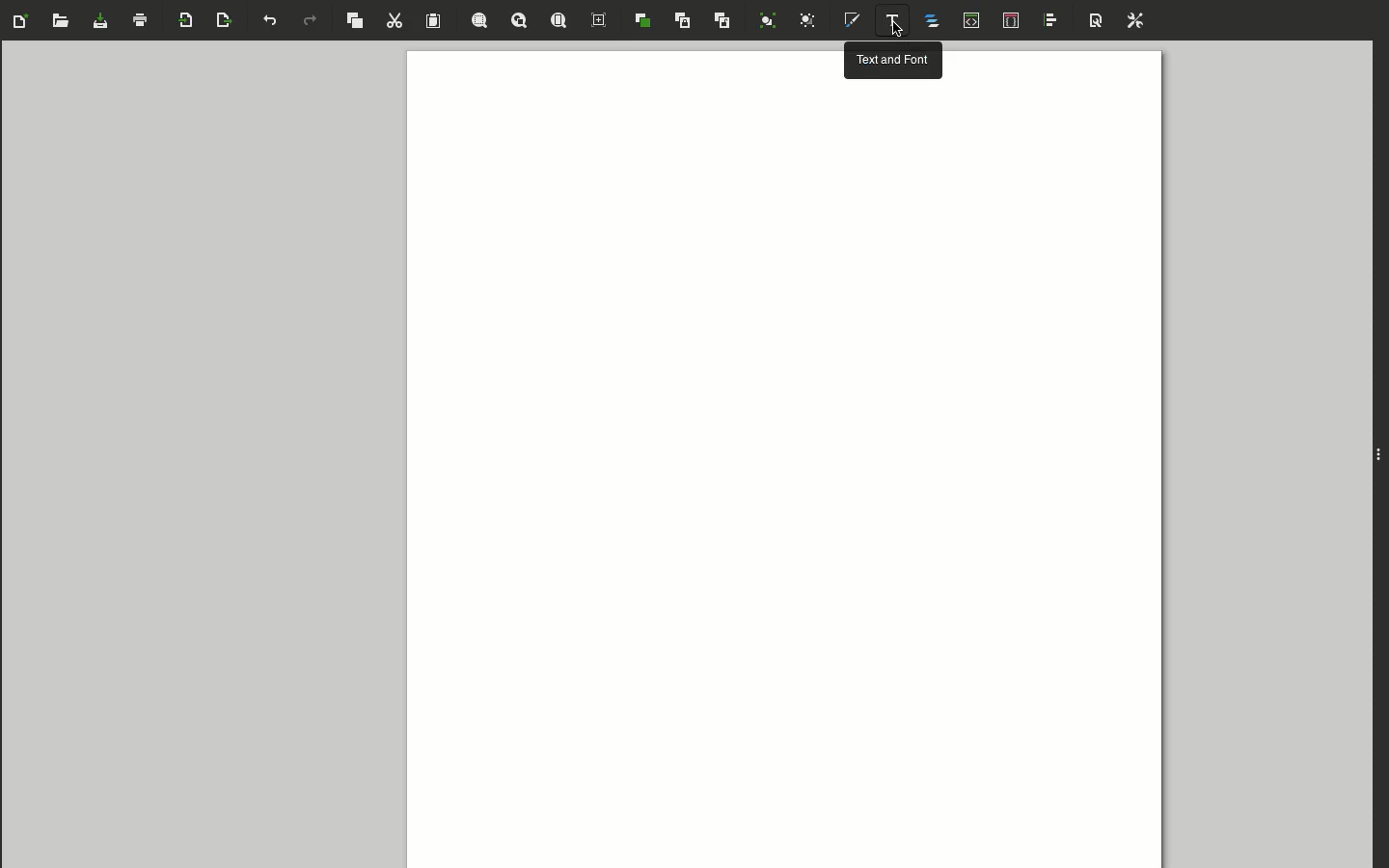 This screenshot has width=1389, height=868. What do you see at coordinates (937, 23) in the screenshot?
I see `Layers and objects` at bounding box center [937, 23].